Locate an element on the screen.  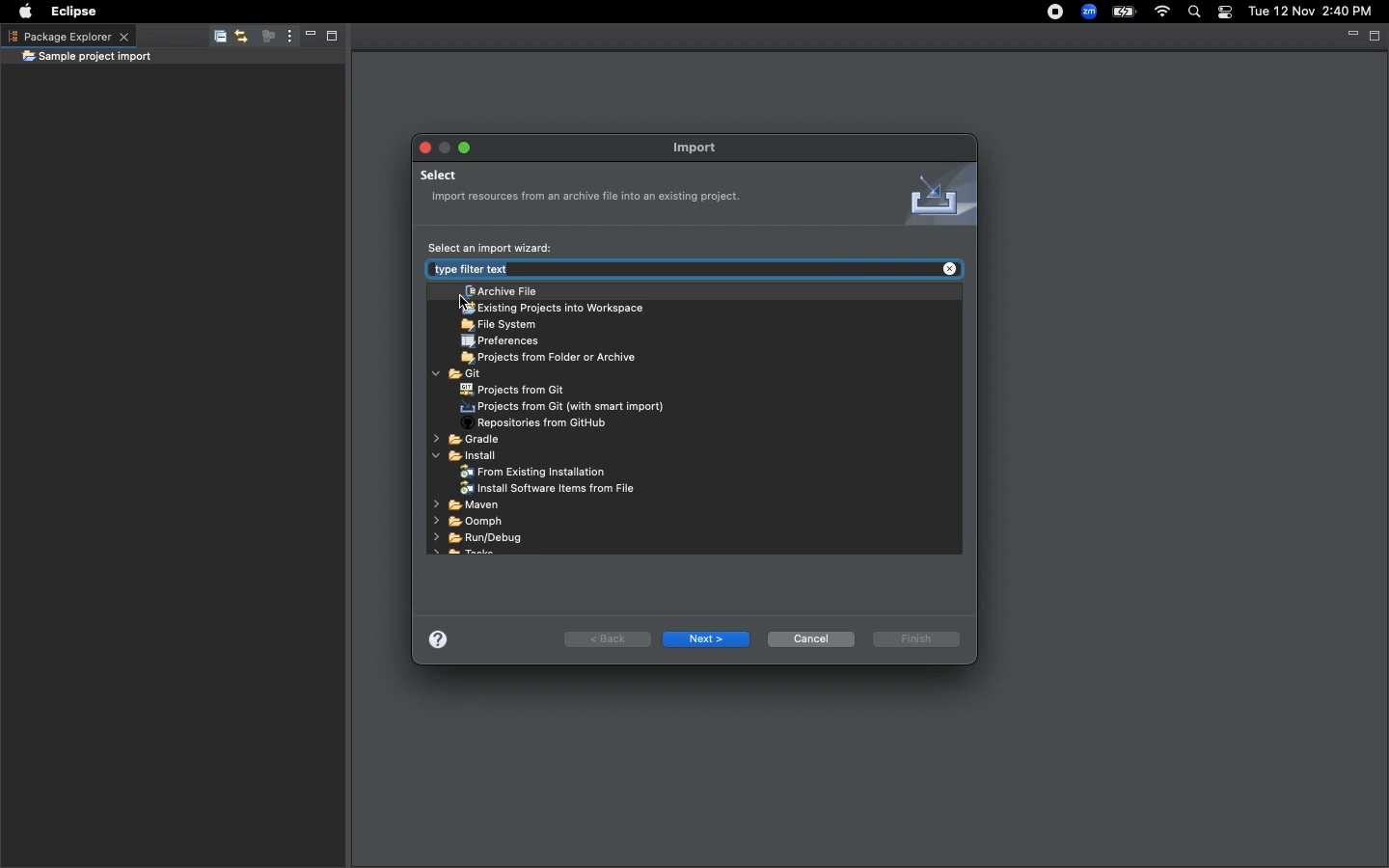
Select is located at coordinates (591, 188).